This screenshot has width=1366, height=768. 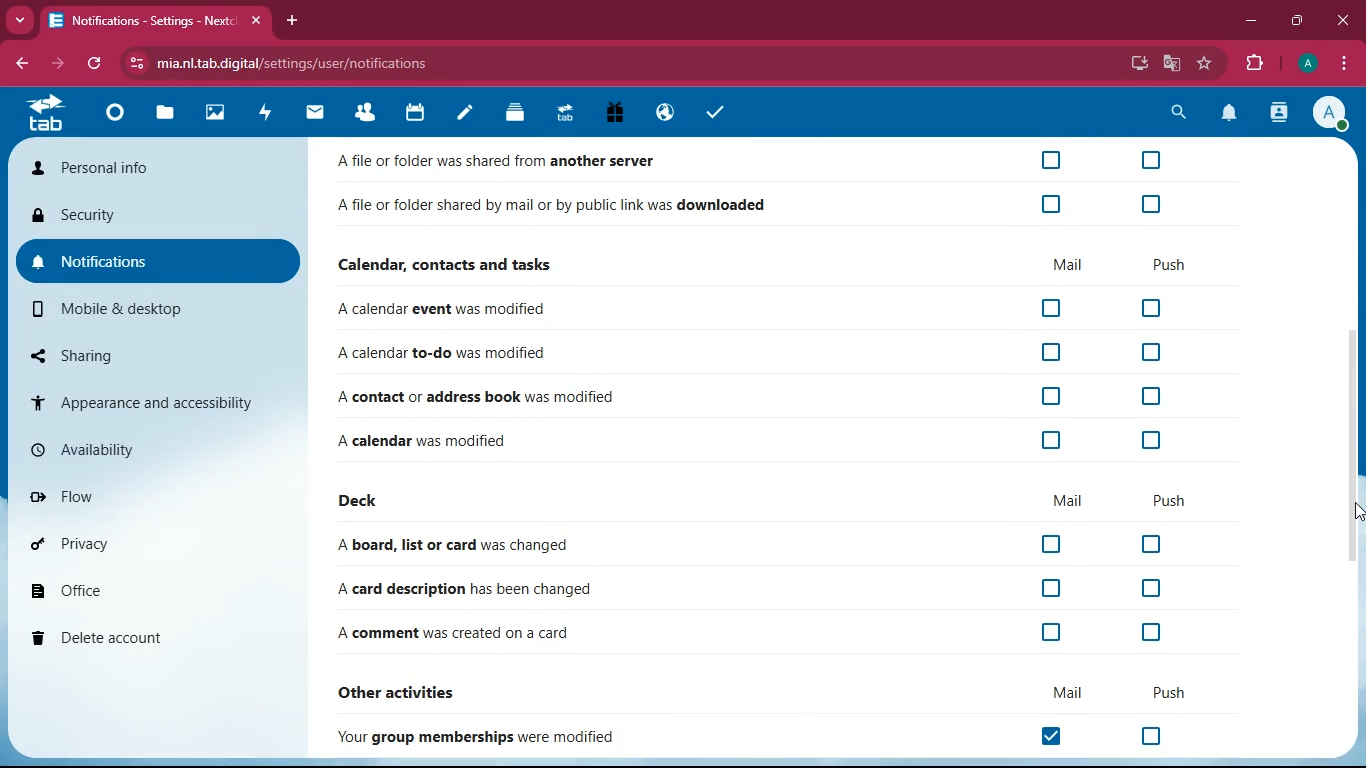 I want to click on extensions, so click(x=1250, y=61).